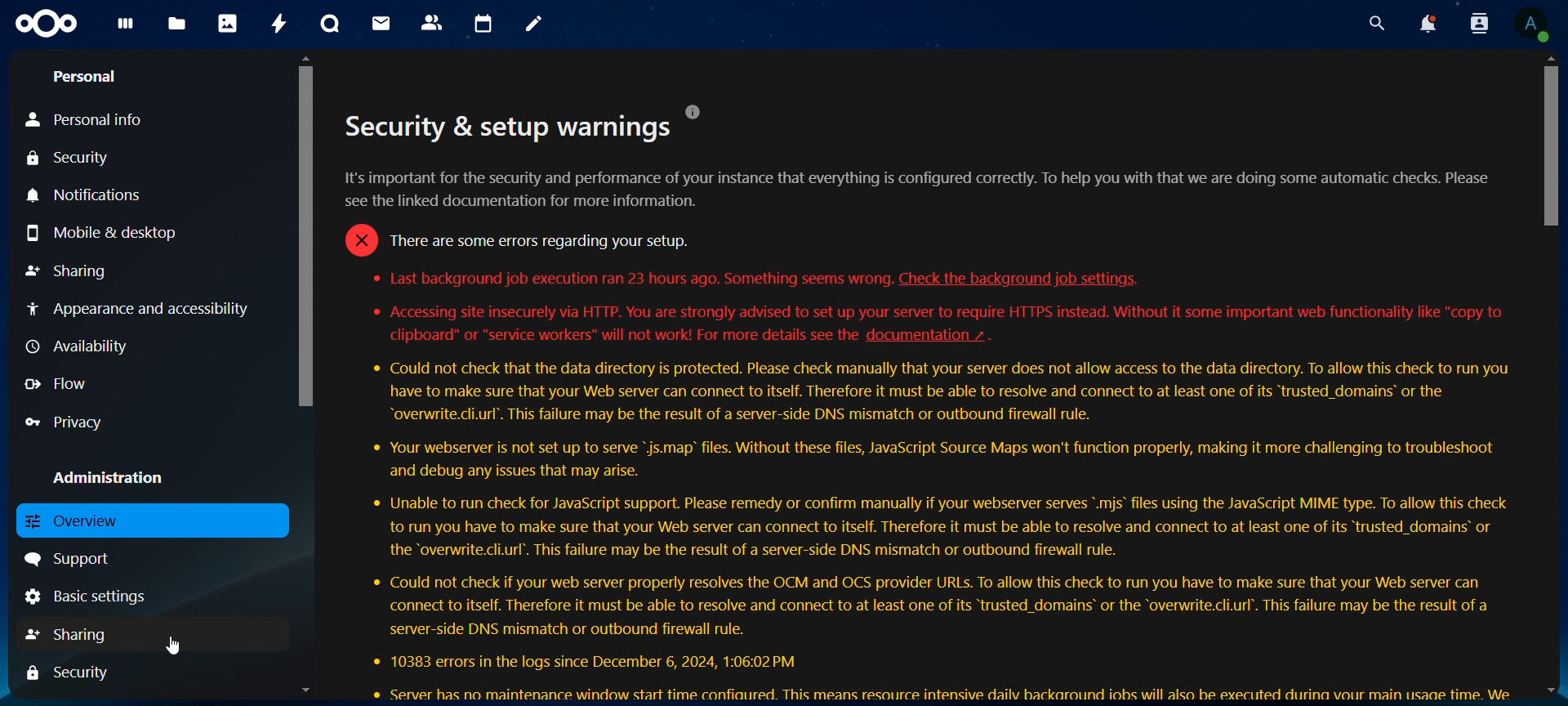  I want to click on security, so click(78, 672).